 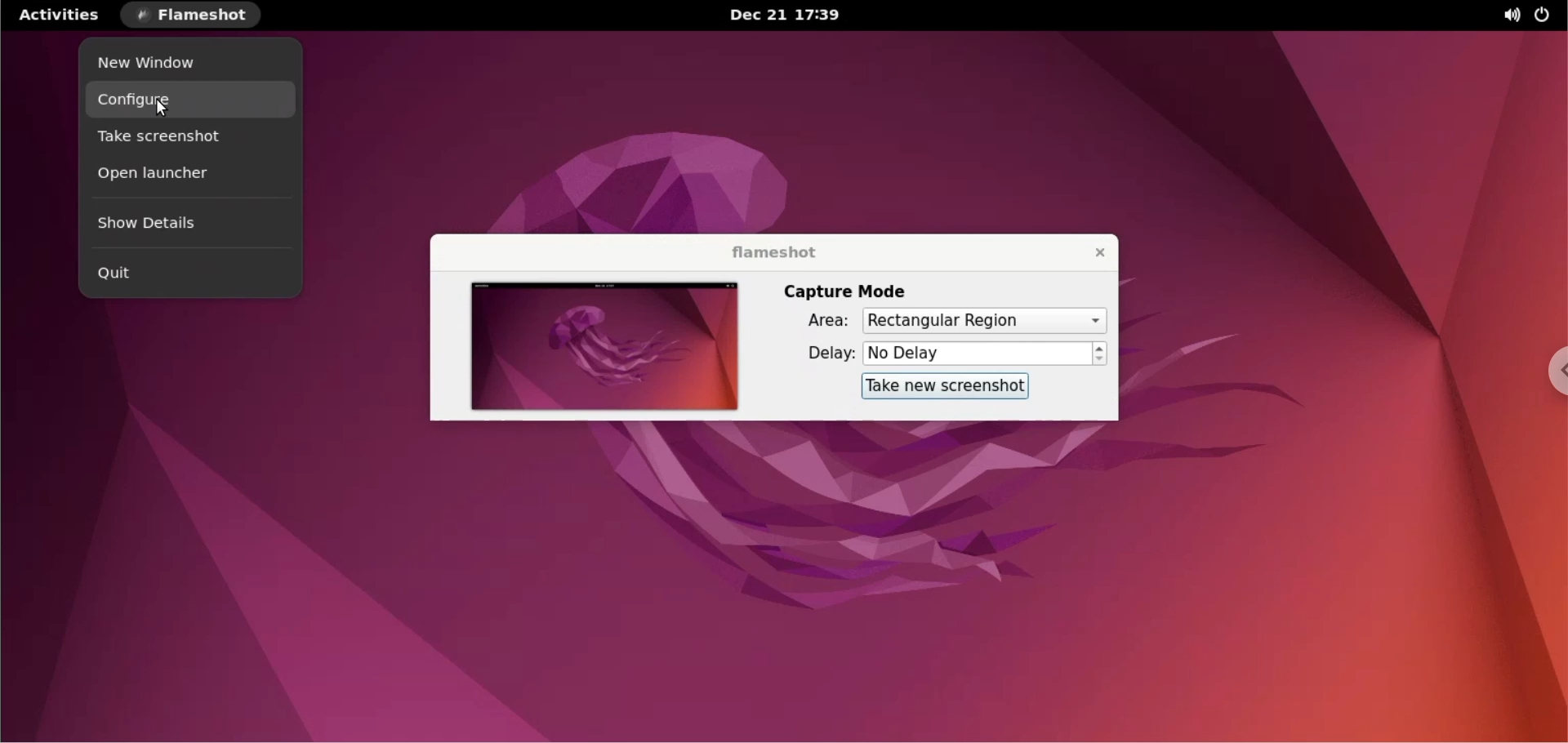 I want to click on Dec  21 17:39, so click(x=788, y=16).